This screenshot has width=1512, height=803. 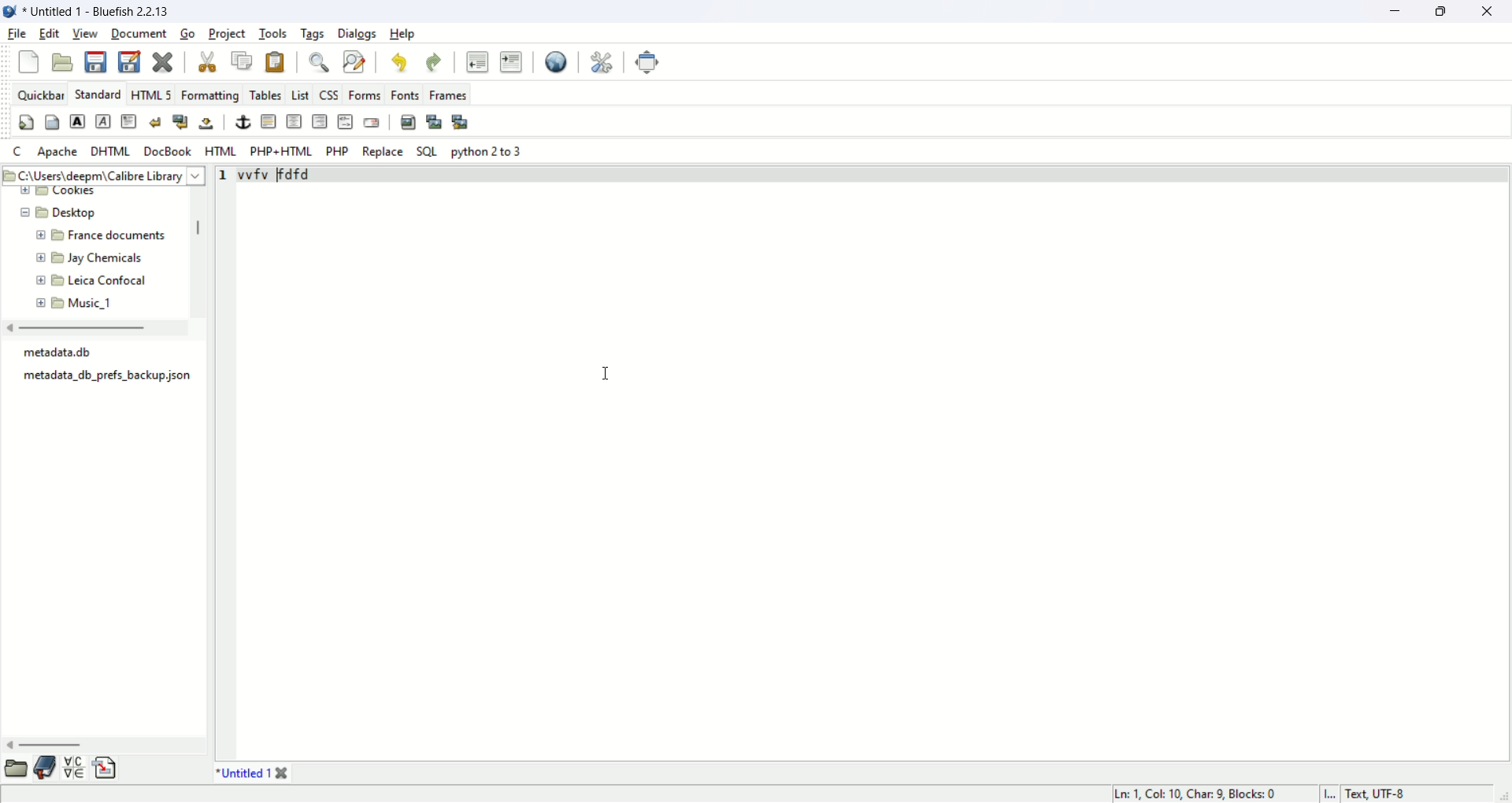 What do you see at coordinates (272, 35) in the screenshot?
I see `tools` at bounding box center [272, 35].